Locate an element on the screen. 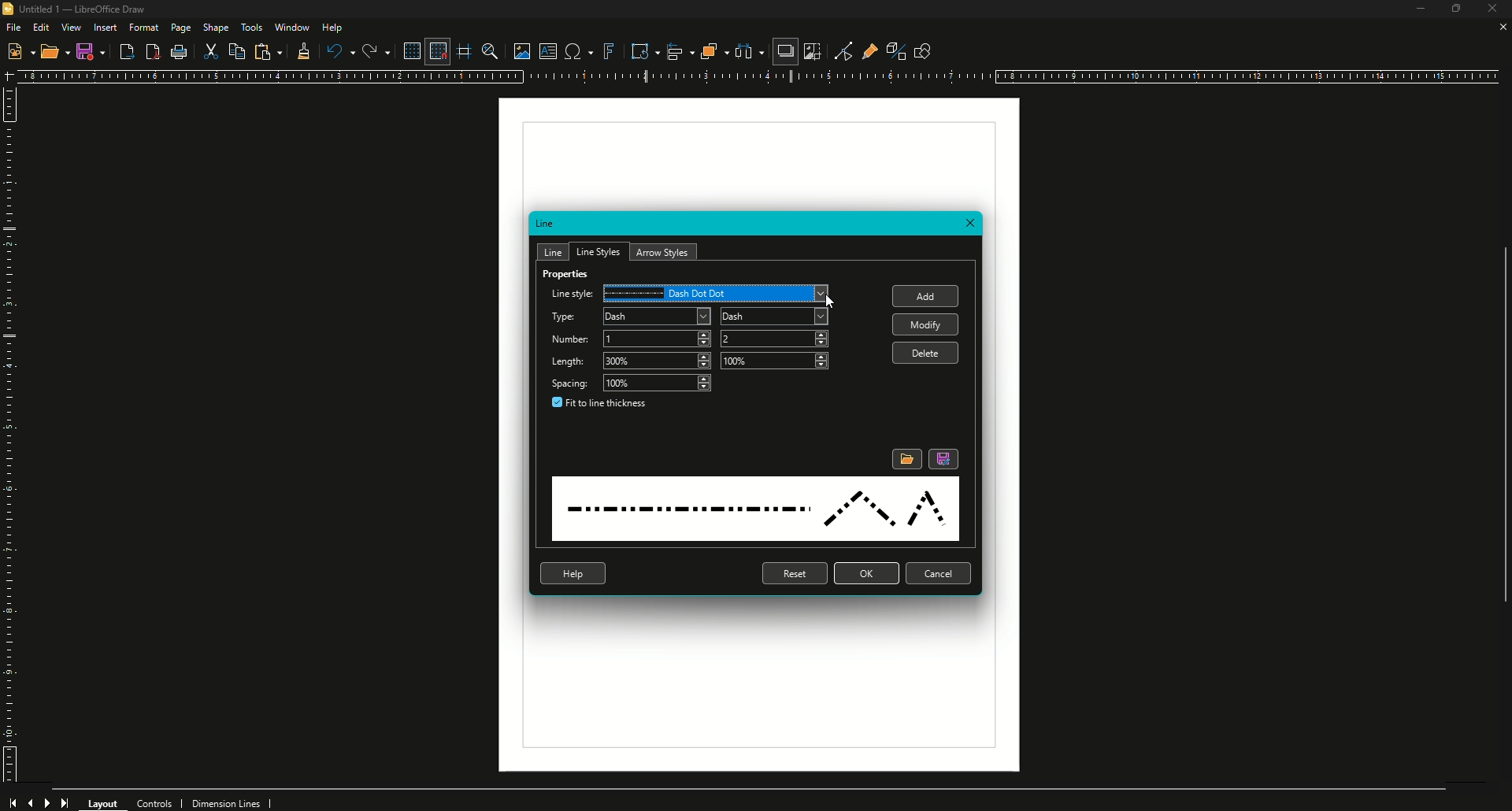 The height and width of the screenshot is (811, 1512). Add is located at coordinates (929, 298).